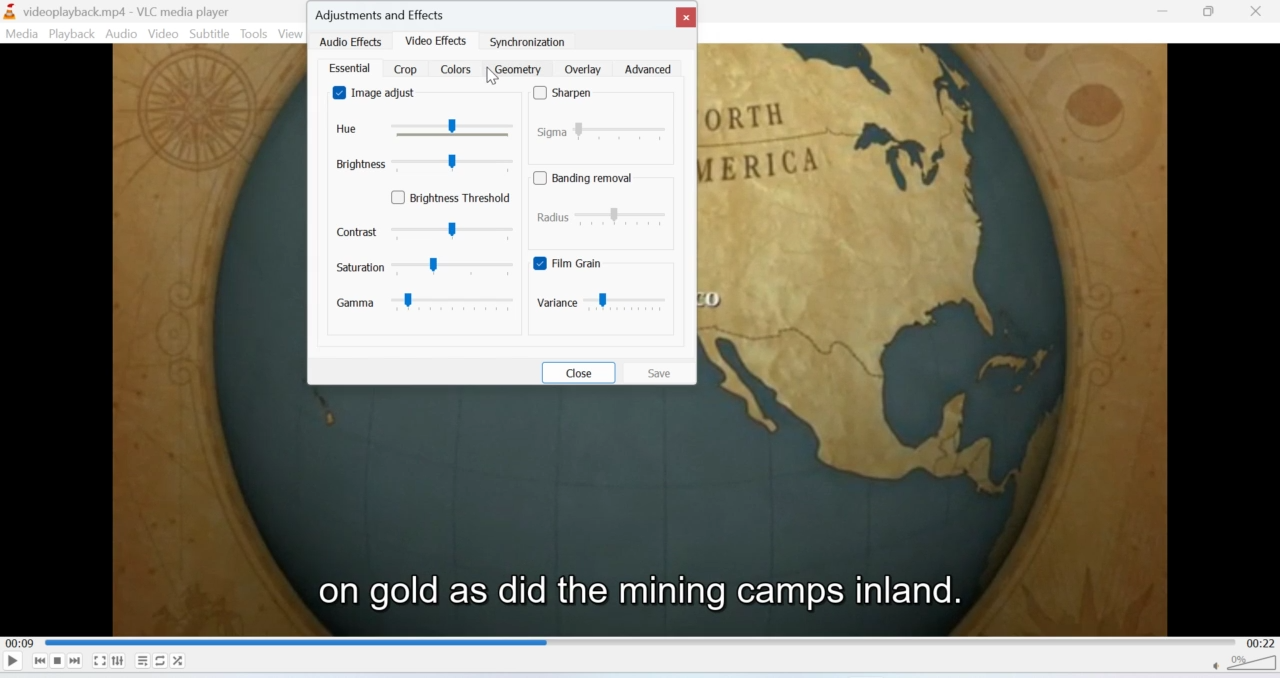 The height and width of the screenshot is (678, 1280). Describe the element at coordinates (640, 521) in the screenshot. I see `Video playback` at that location.